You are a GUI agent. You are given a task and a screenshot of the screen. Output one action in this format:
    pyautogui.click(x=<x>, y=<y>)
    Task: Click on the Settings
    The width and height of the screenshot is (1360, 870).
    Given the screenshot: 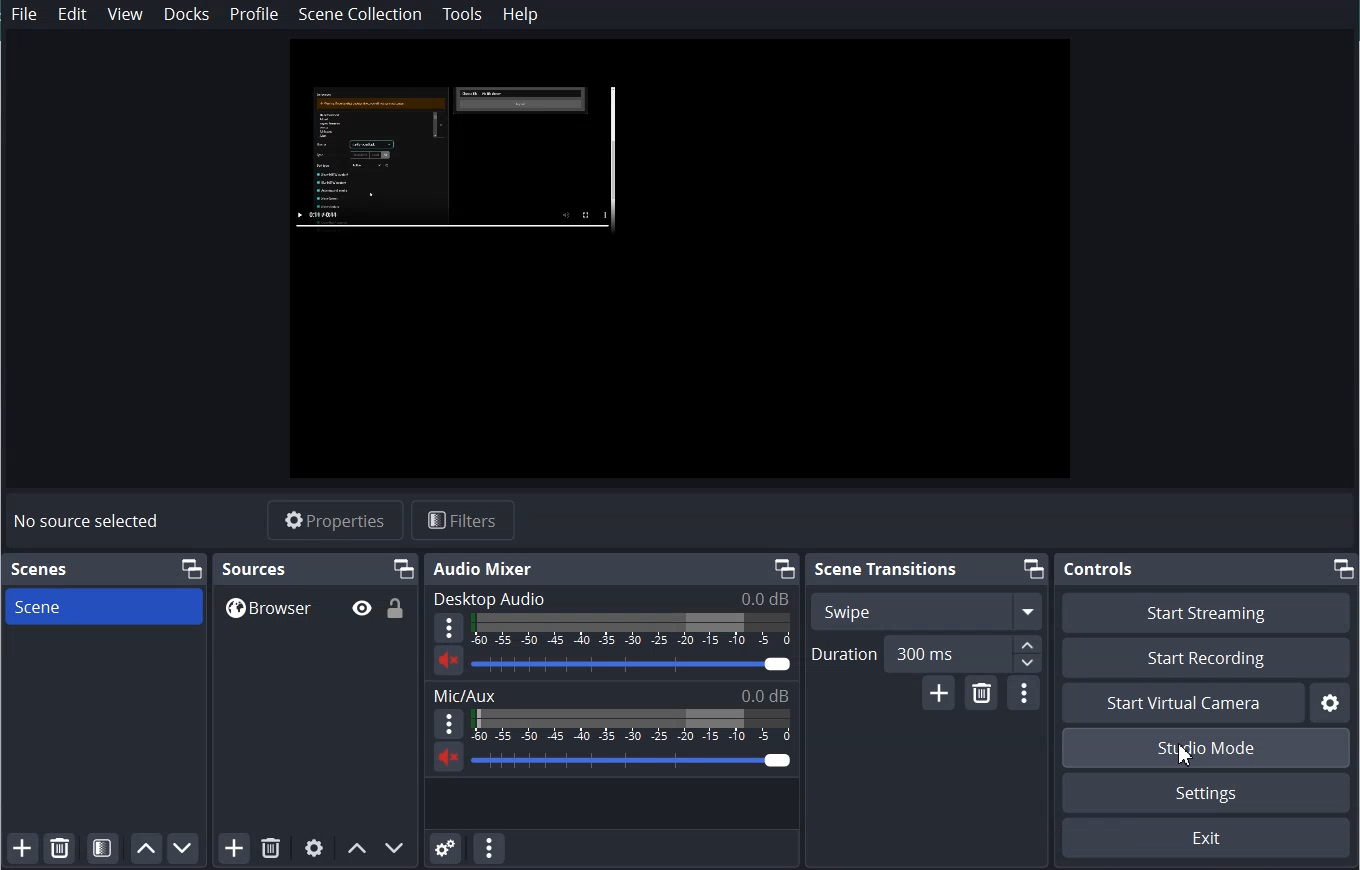 What is the action you would take?
    pyautogui.click(x=1331, y=702)
    